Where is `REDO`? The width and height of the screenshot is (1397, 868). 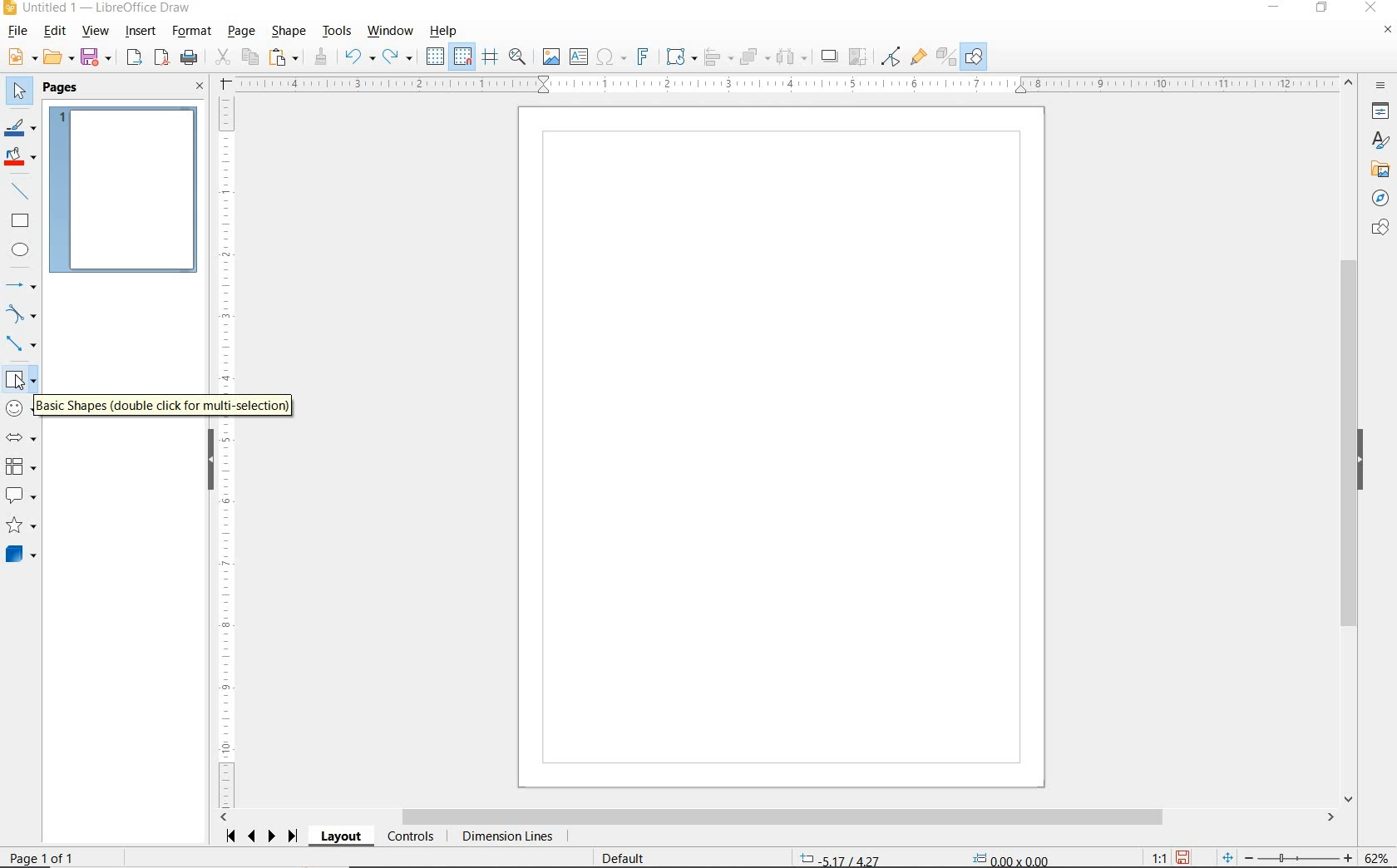
REDO is located at coordinates (402, 57).